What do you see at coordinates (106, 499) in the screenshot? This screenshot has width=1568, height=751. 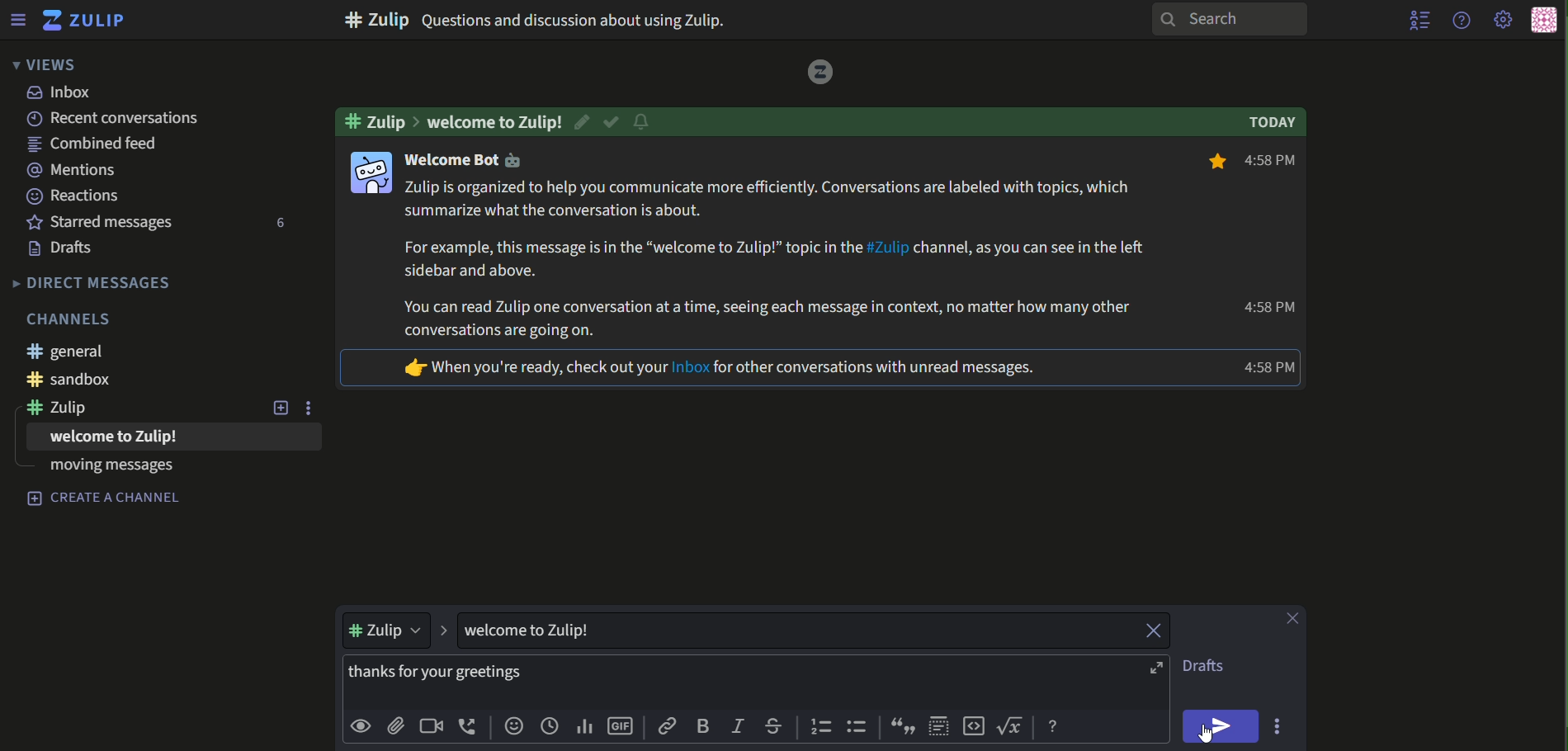 I see `Text` at bounding box center [106, 499].